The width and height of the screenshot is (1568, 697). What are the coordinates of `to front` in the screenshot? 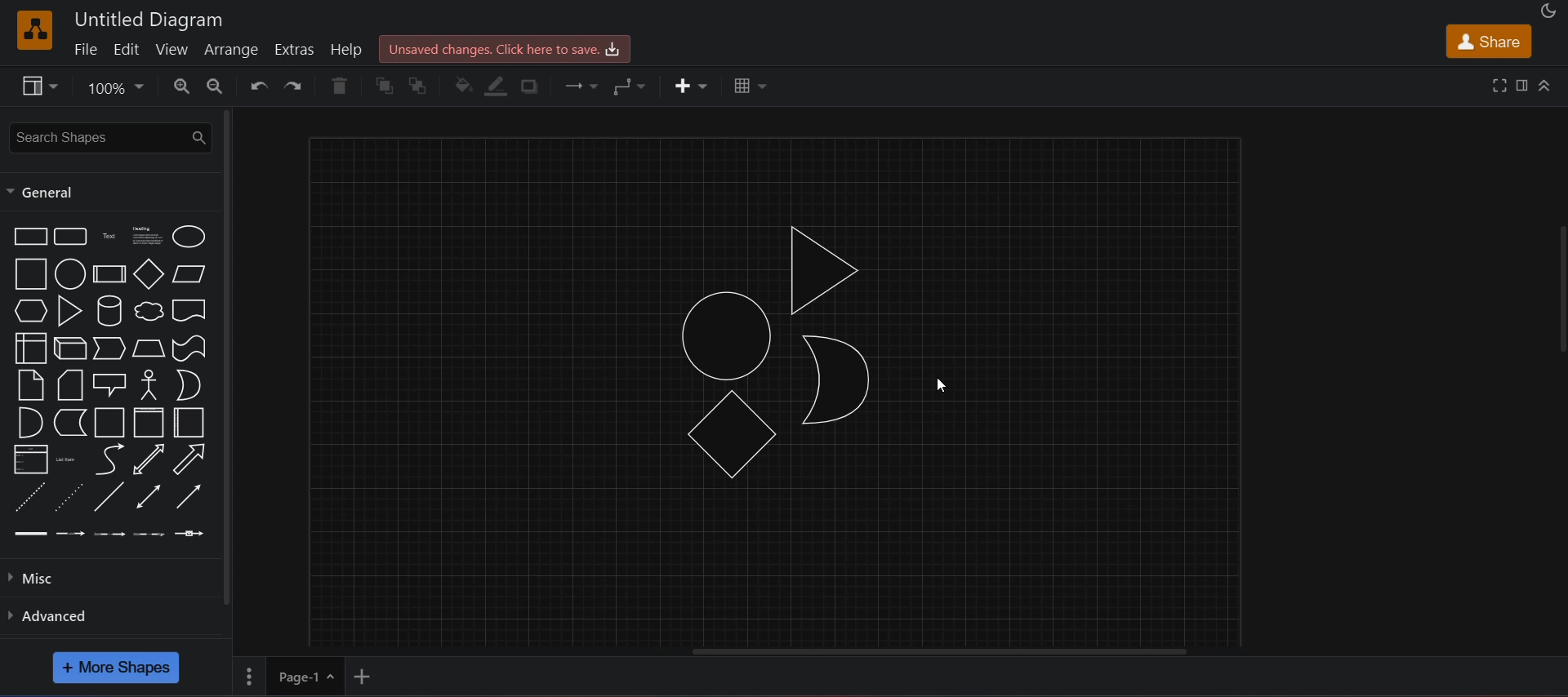 It's located at (387, 87).